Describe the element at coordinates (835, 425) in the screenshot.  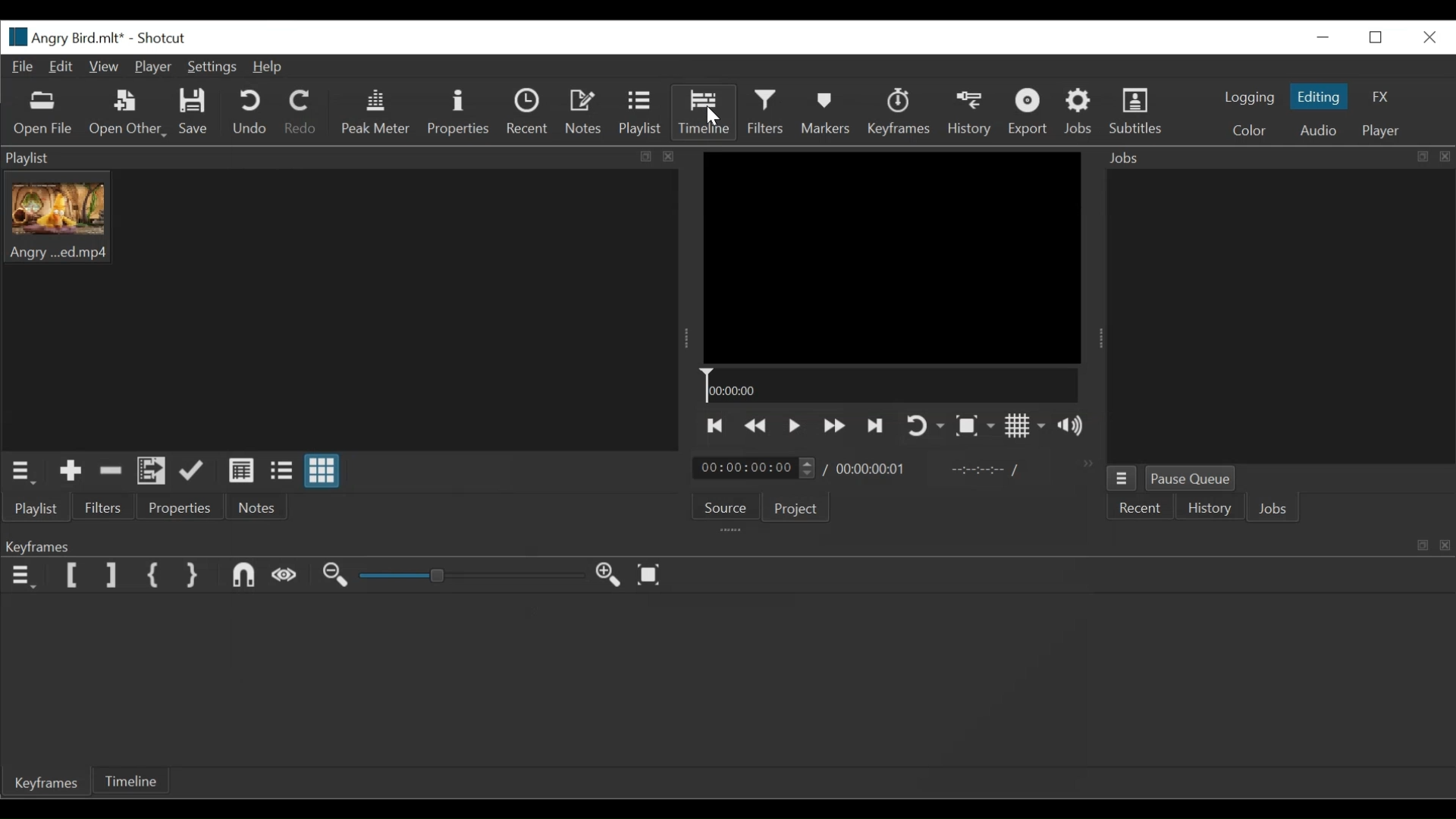
I see `Play forward quickly` at that location.